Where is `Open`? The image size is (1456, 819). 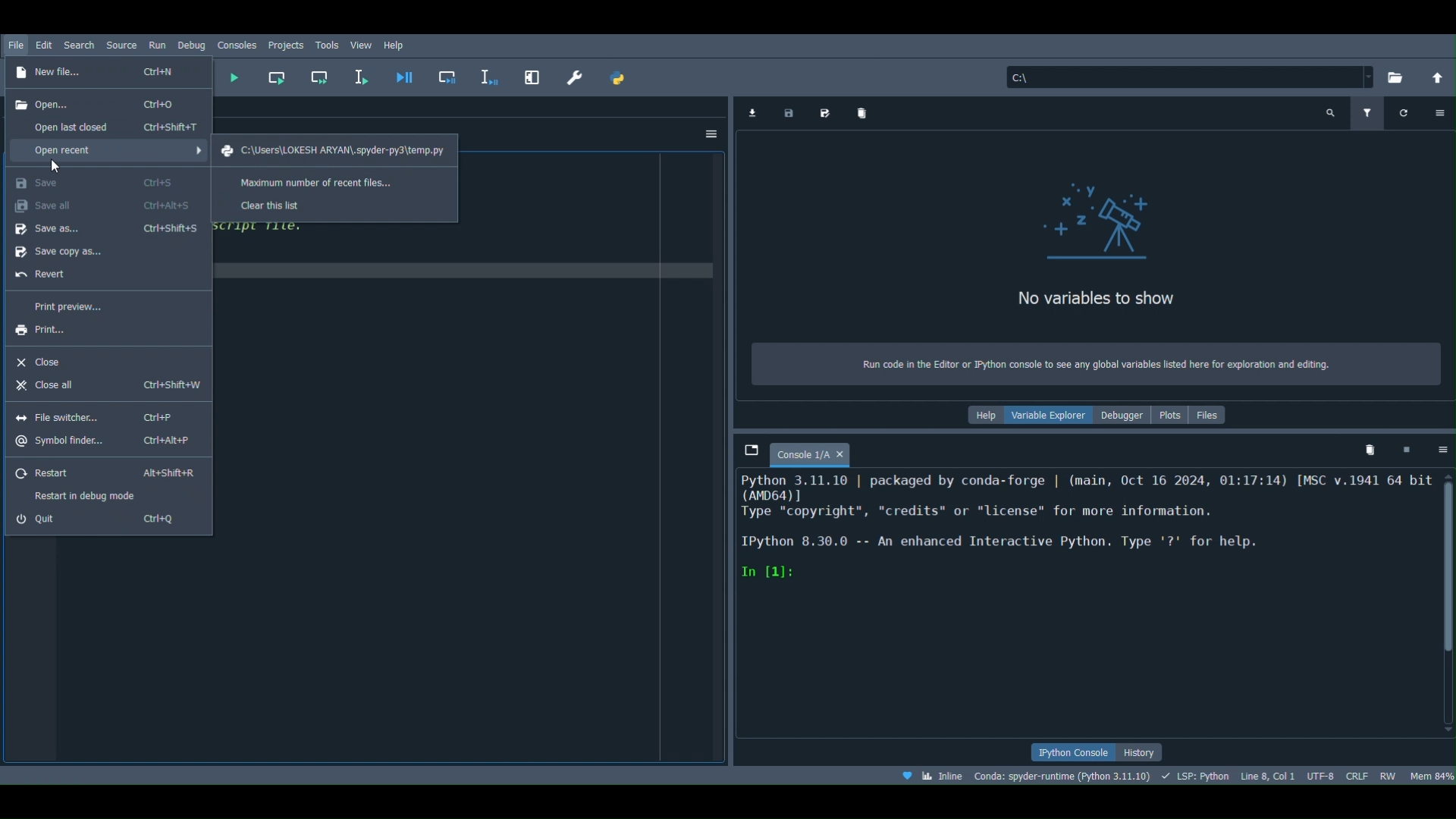
Open is located at coordinates (105, 102).